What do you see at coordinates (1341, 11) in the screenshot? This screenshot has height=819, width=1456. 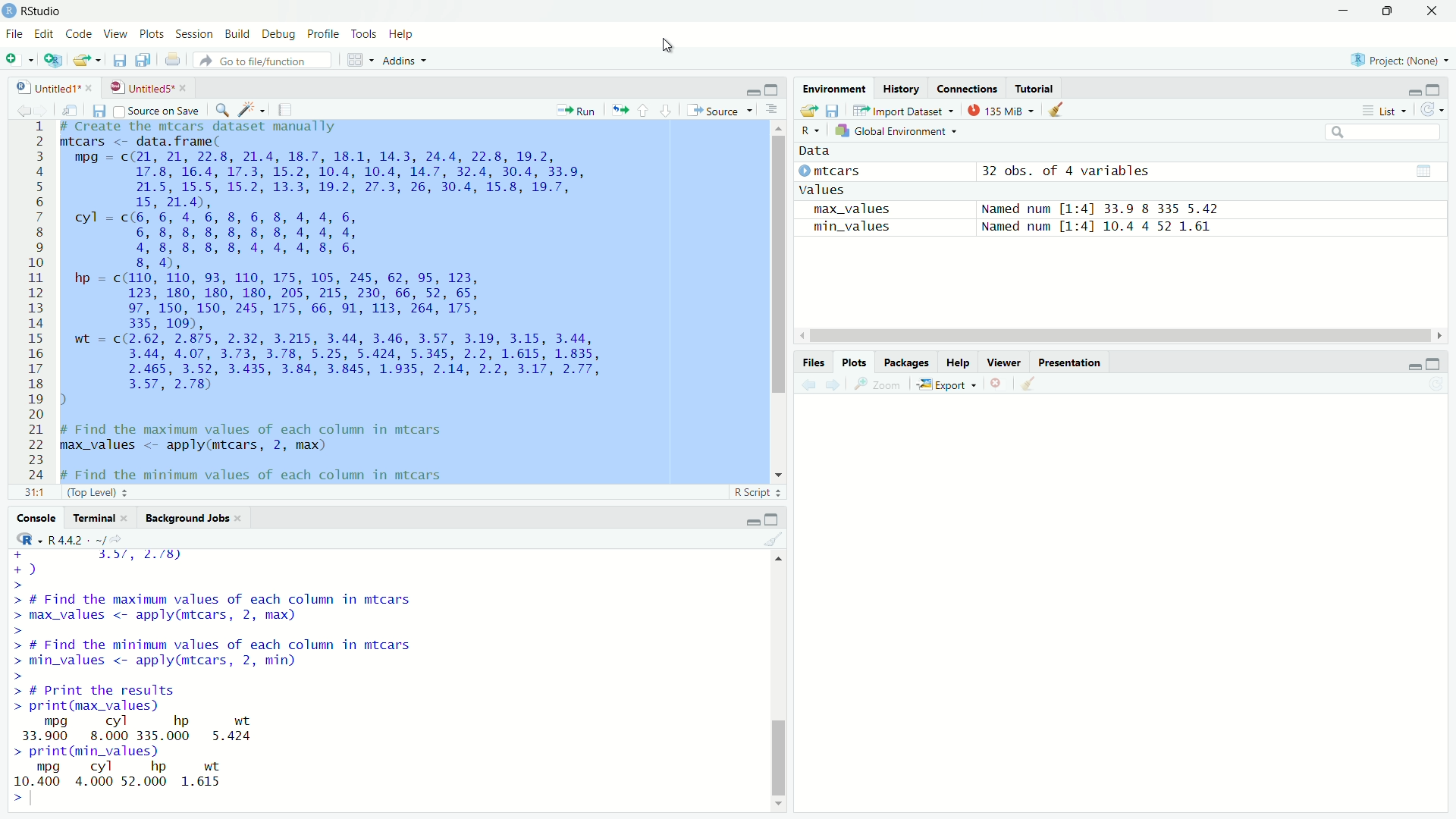 I see `minimise` at bounding box center [1341, 11].